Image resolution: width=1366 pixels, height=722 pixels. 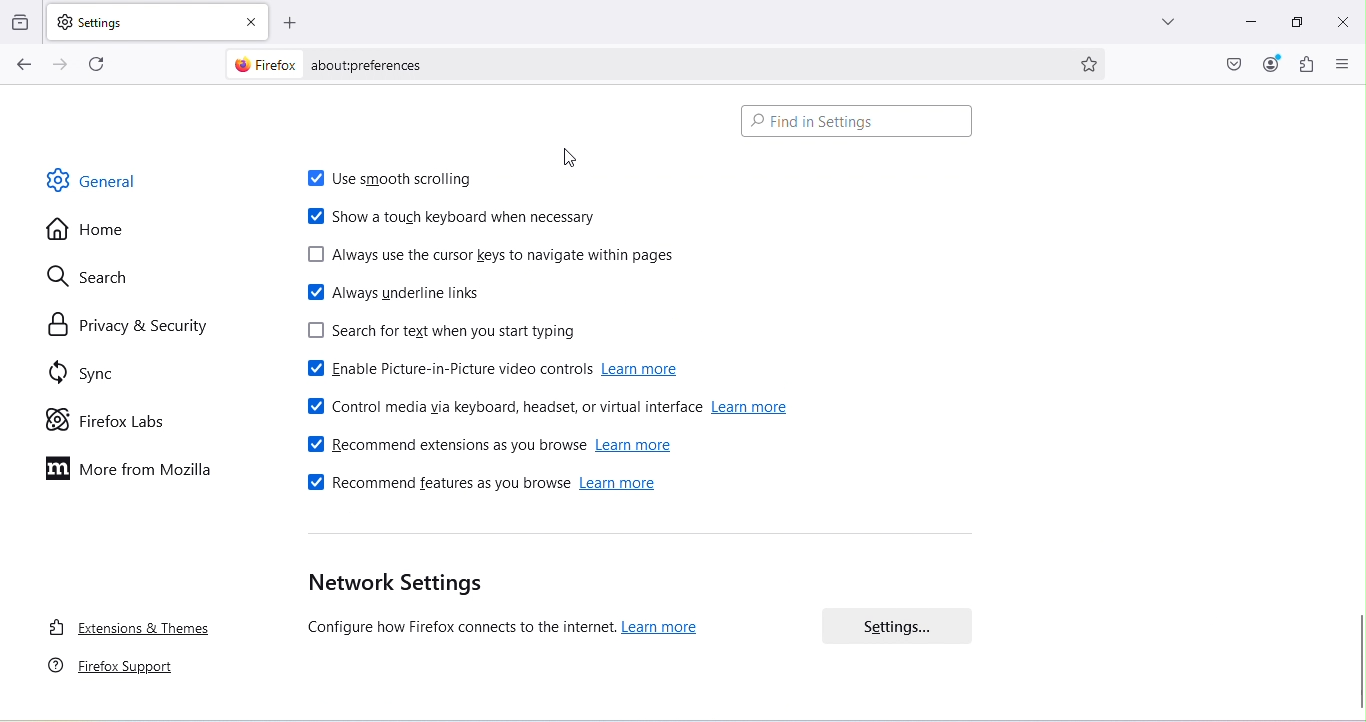 What do you see at coordinates (142, 21) in the screenshot?
I see `New tab` at bounding box center [142, 21].